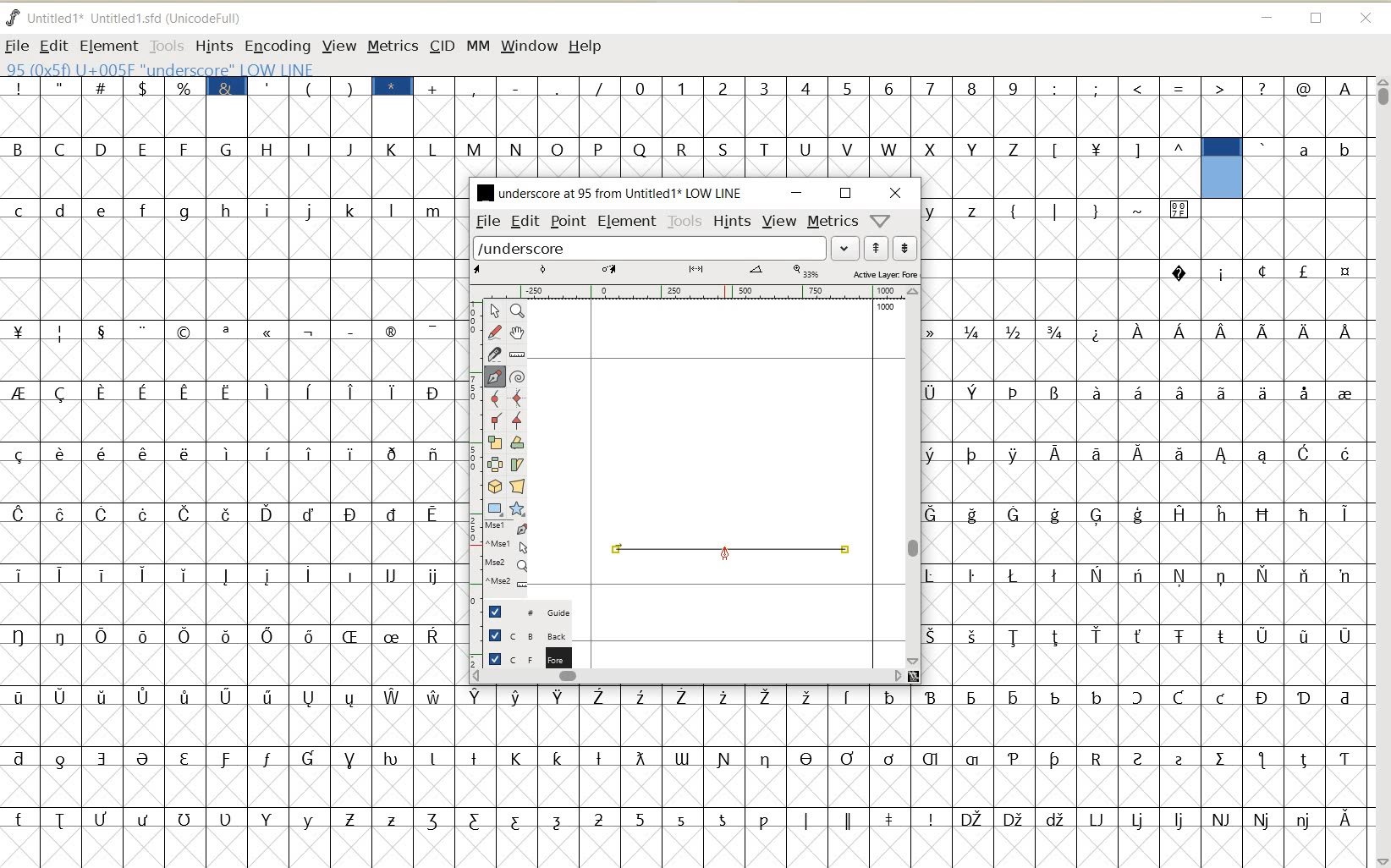  Describe the element at coordinates (685, 222) in the screenshot. I see `TOOLS` at that location.